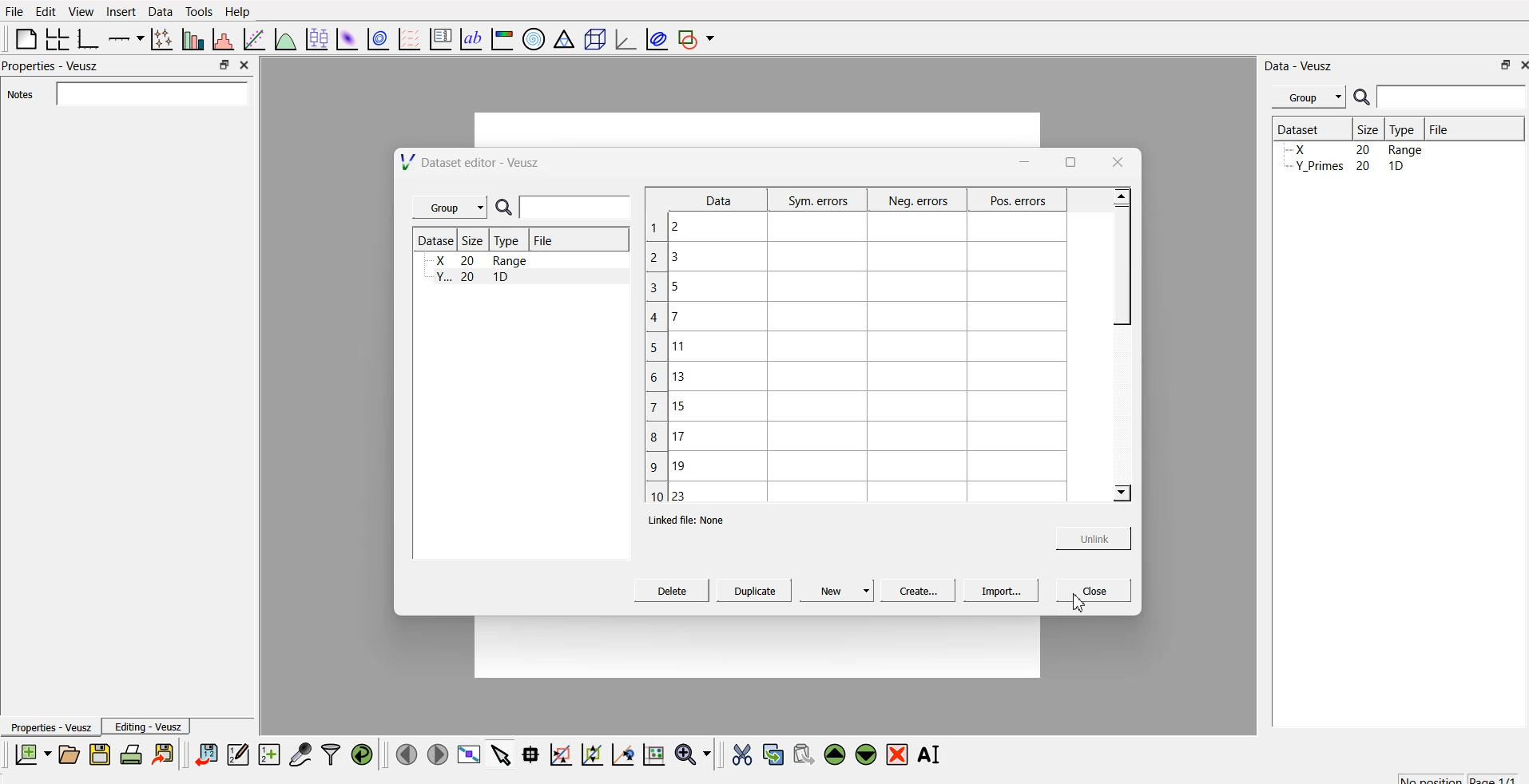  Describe the element at coordinates (1121, 494) in the screenshot. I see `down scroll button` at that location.